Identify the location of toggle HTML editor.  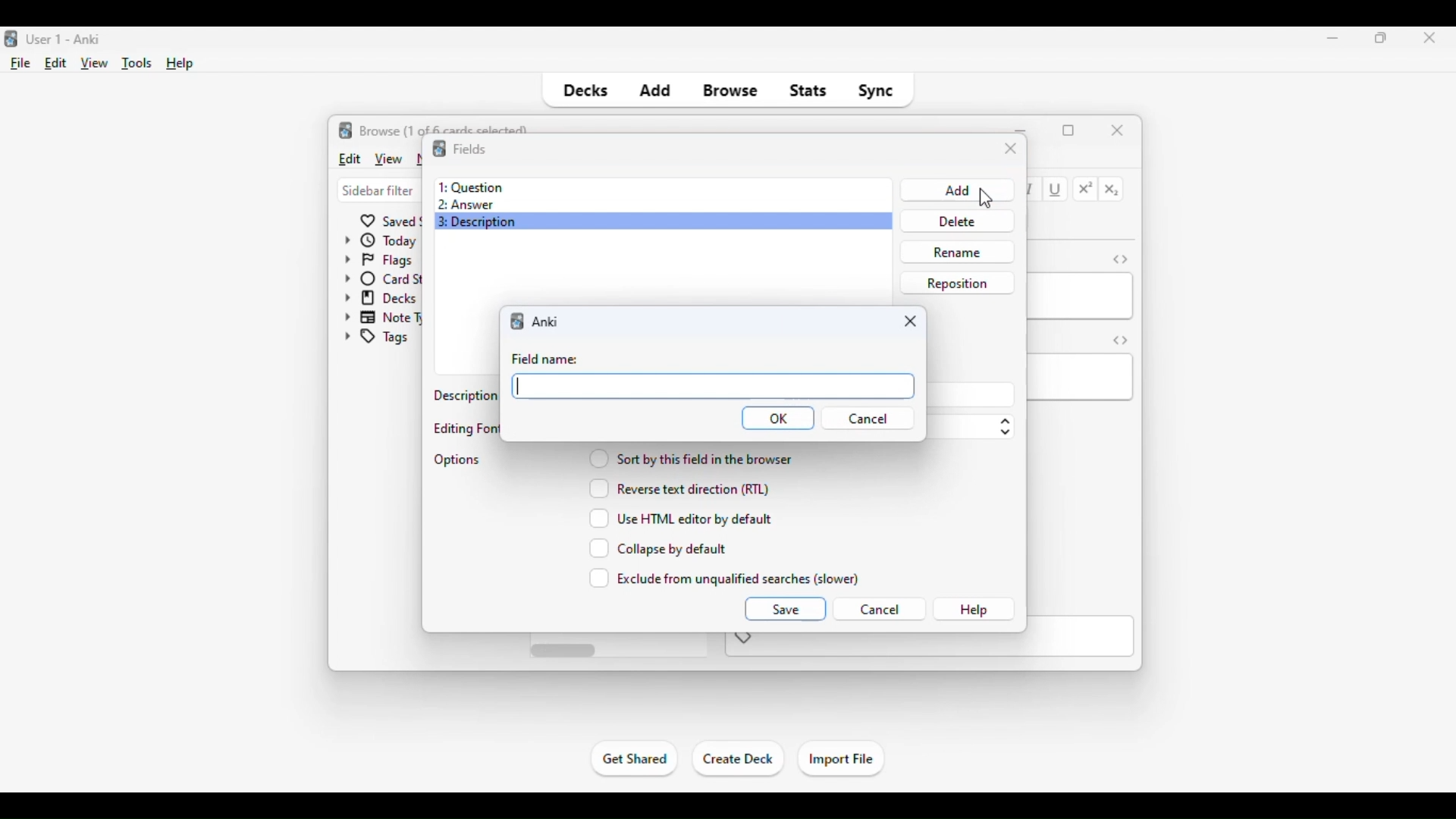
(1120, 259).